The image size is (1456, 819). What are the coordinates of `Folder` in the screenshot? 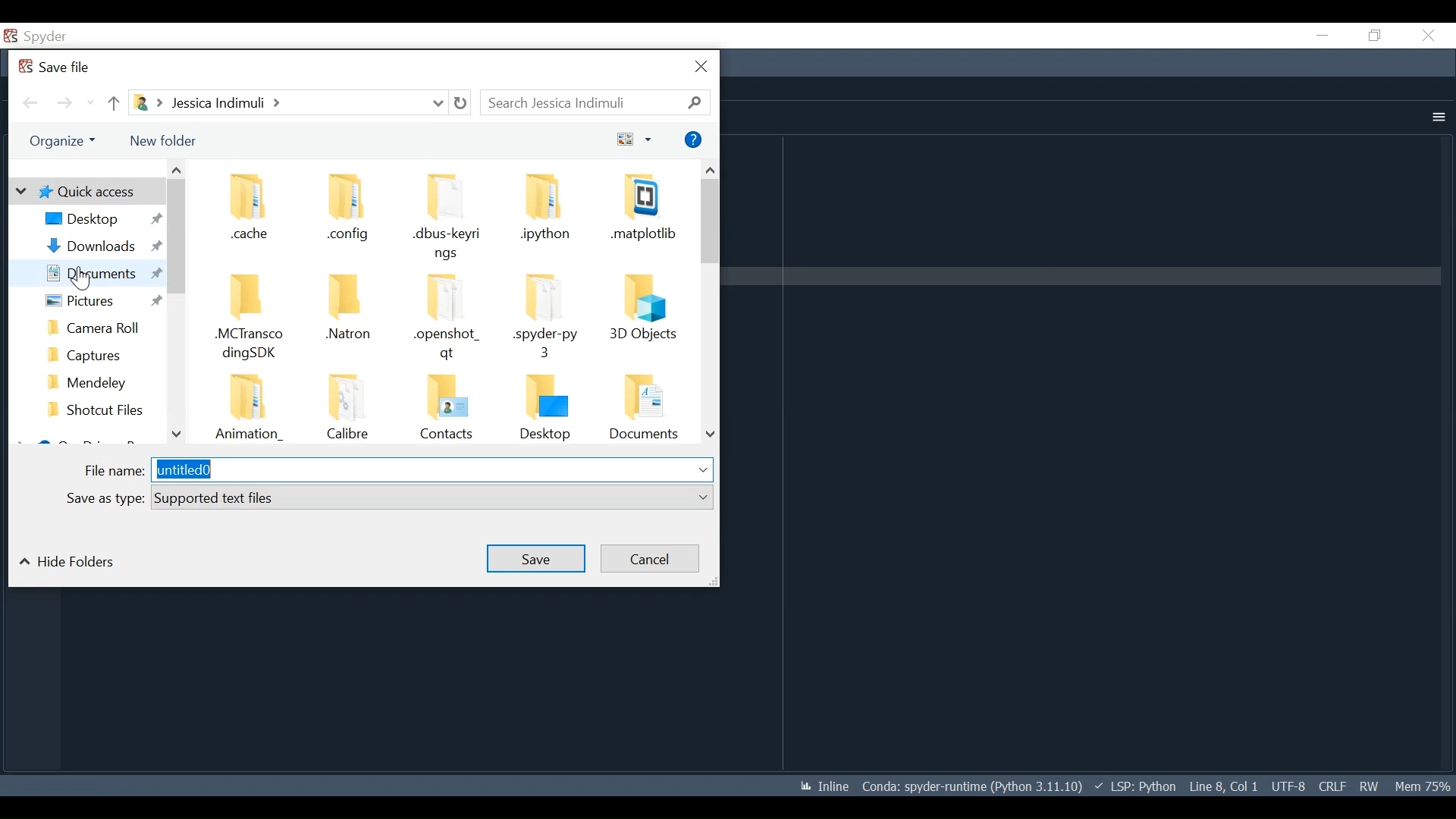 It's located at (345, 409).